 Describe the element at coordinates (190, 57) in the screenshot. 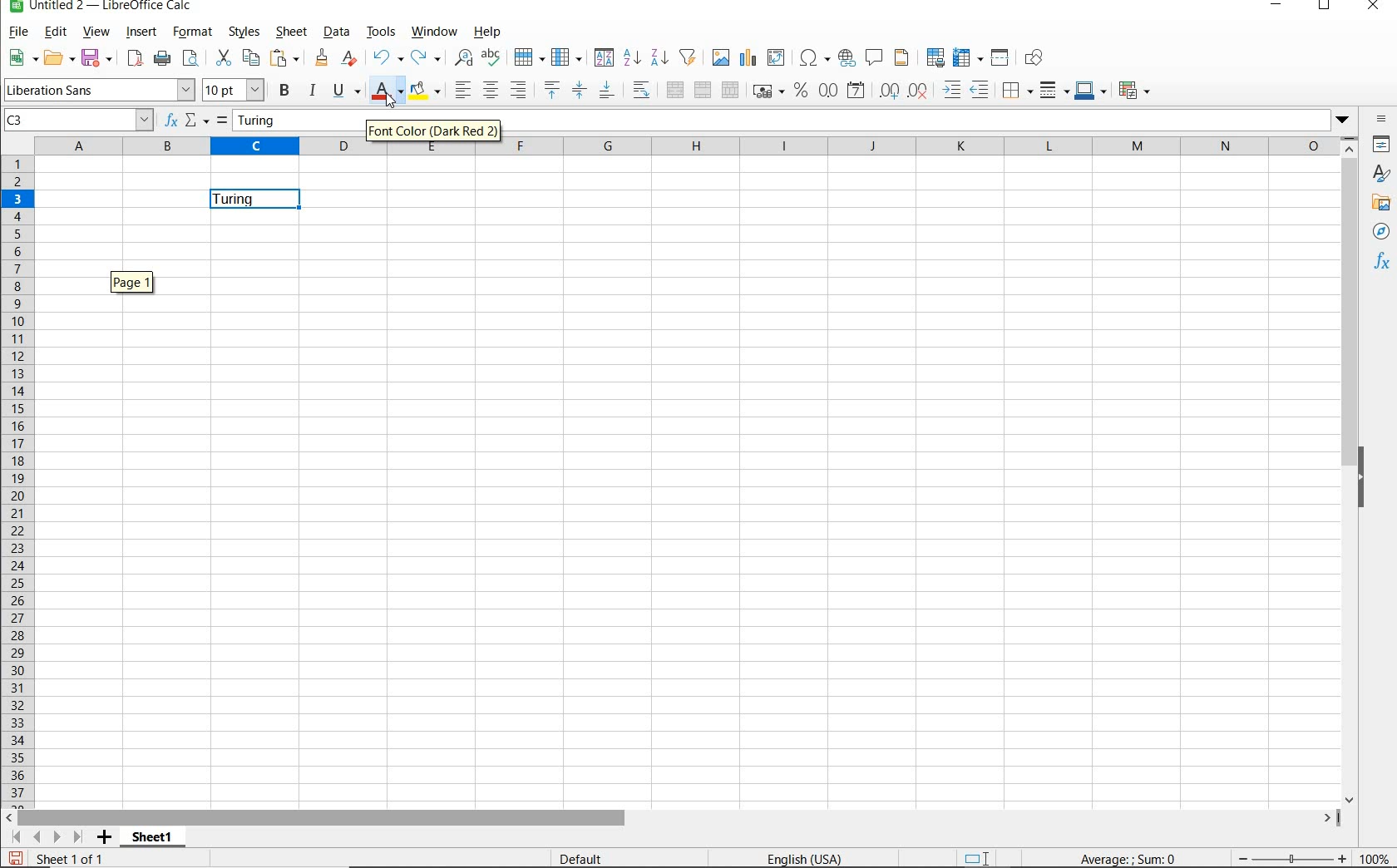

I see `TOGGLE PRINT PREVIEW` at that location.